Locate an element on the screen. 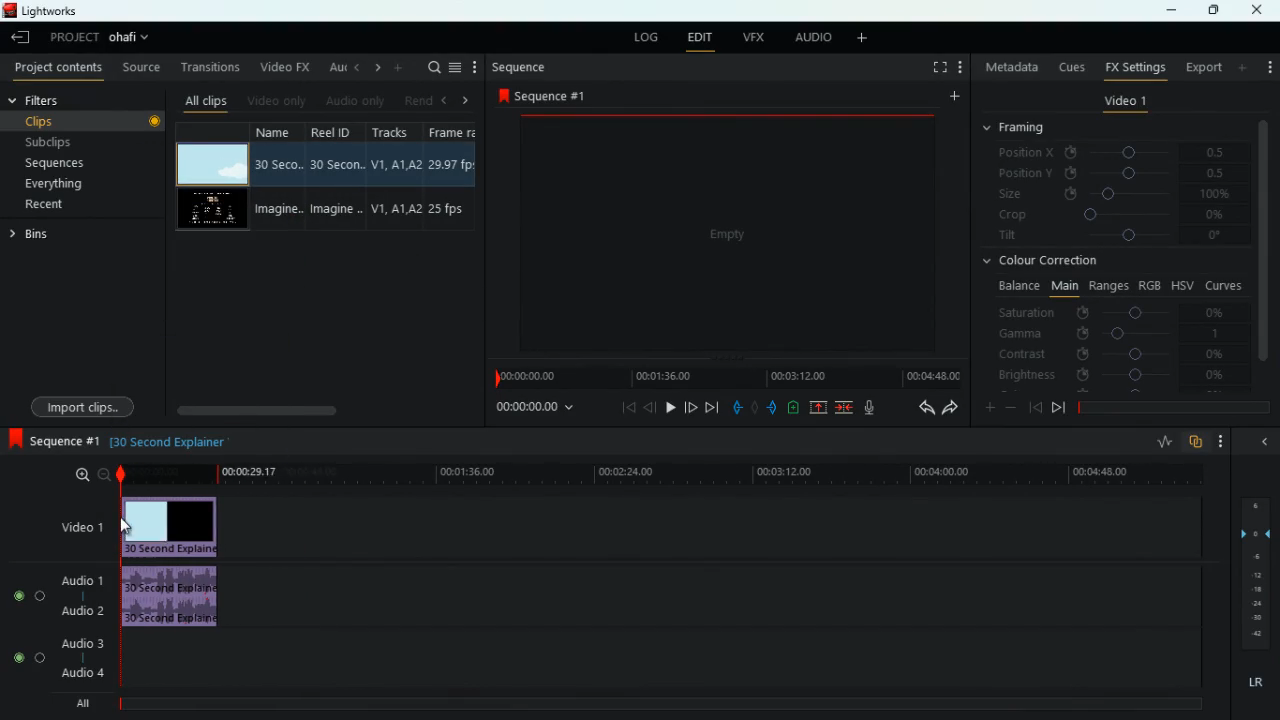 This screenshot has width=1280, height=720. cursor is located at coordinates (128, 525).